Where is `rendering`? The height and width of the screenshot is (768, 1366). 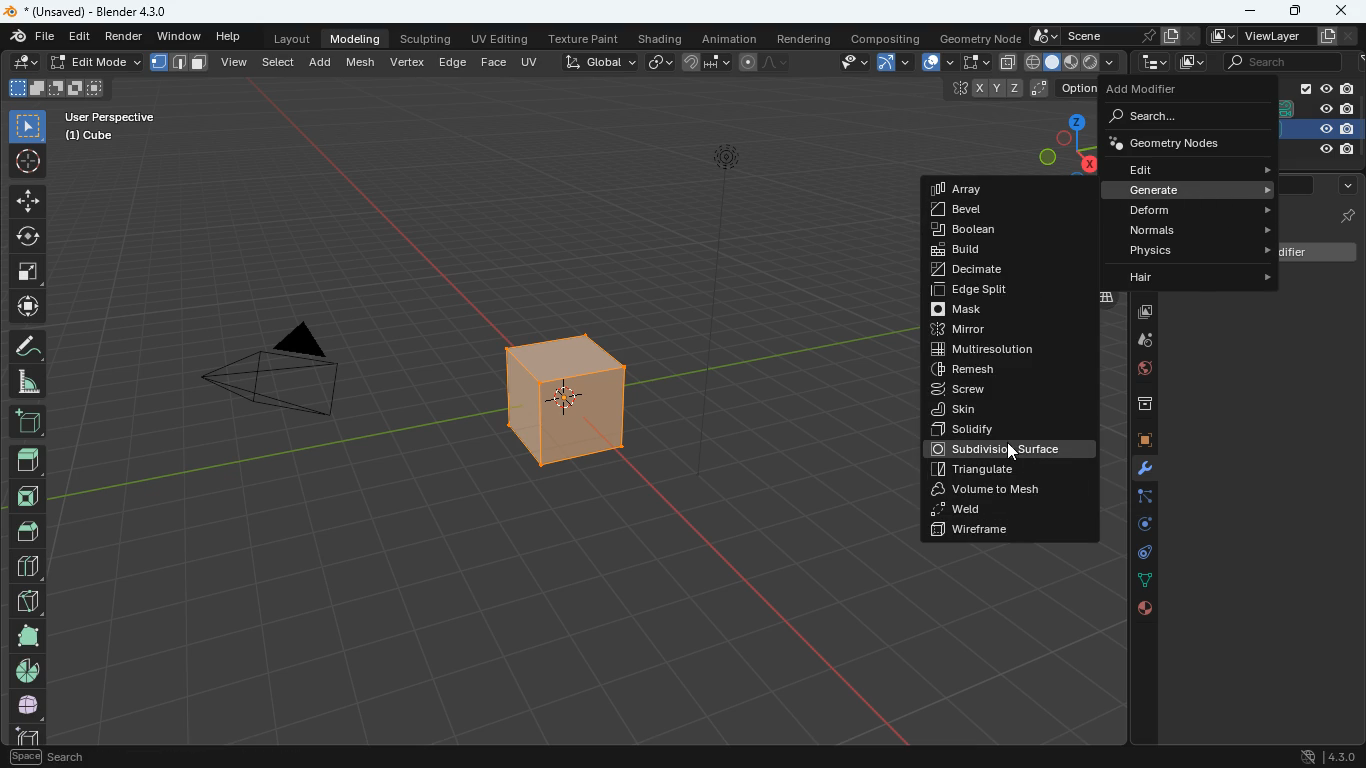
rendering is located at coordinates (807, 38).